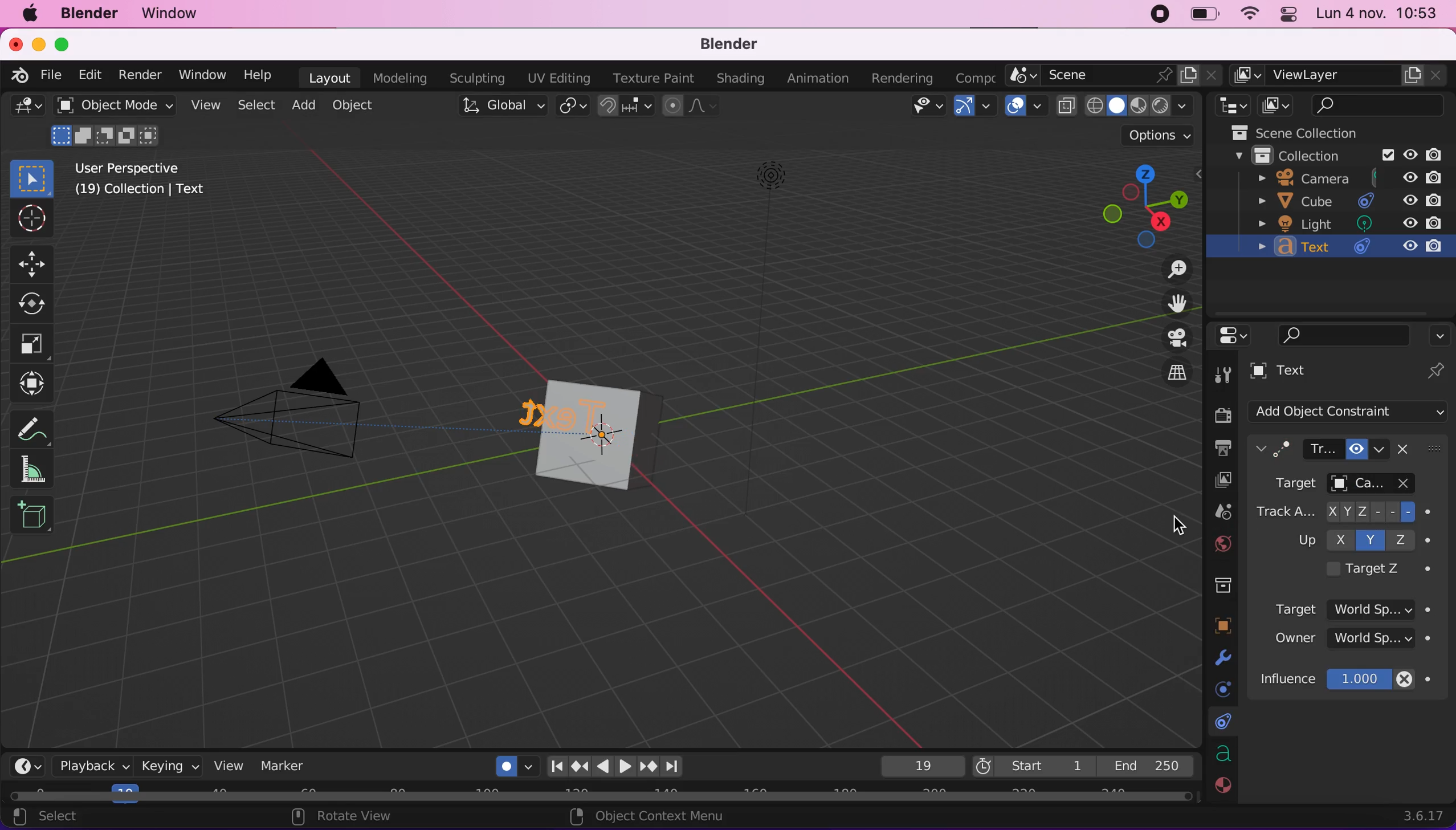  Describe the element at coordinates (29, 763) in the screenshot. I see `editor type` at that location.